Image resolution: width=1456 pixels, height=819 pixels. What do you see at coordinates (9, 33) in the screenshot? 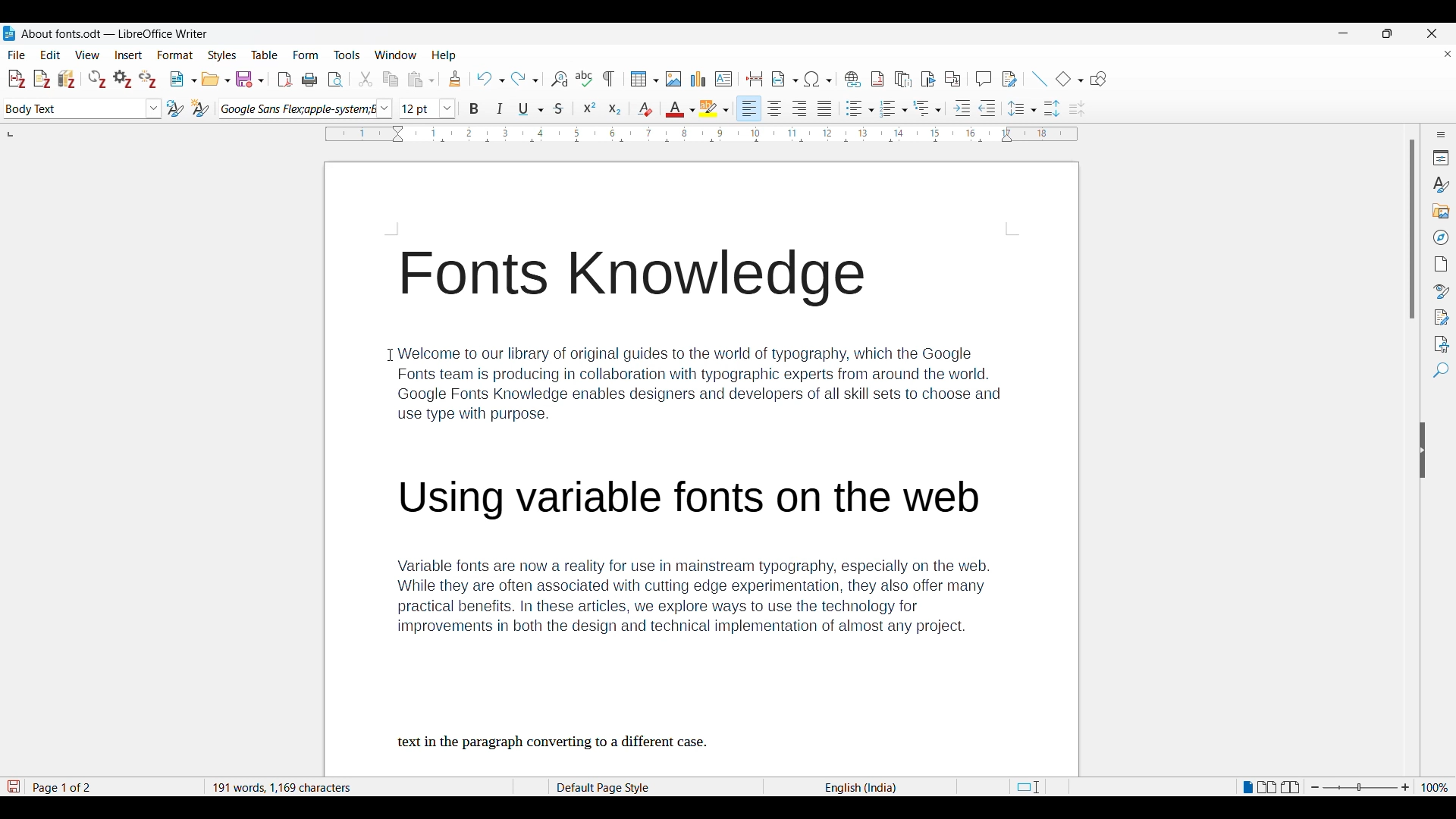
I see `Software logo` at bounding box center [9, 33].